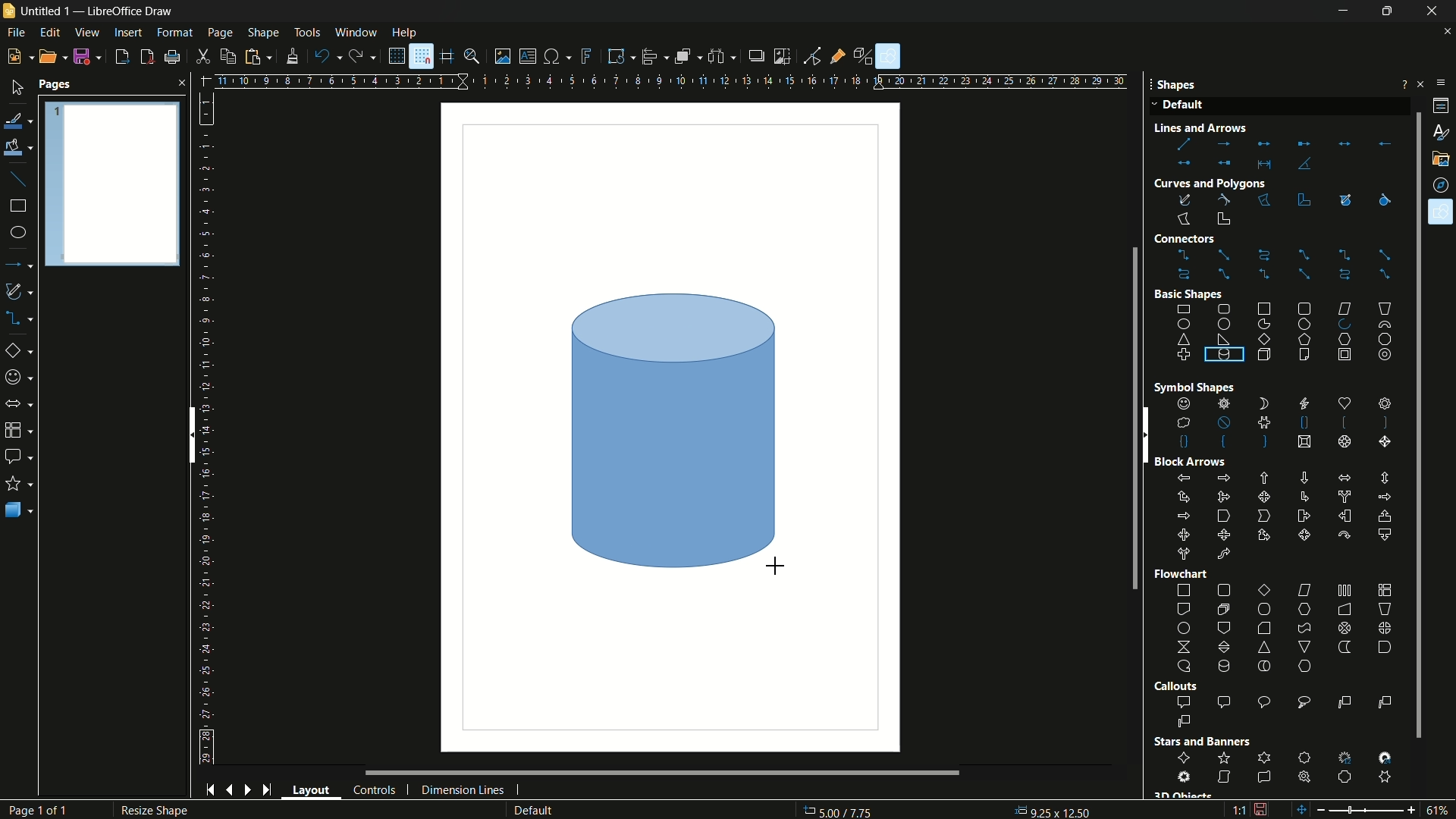 Image resolution: width=1456 pixels, height=819 pixels. I want to click on export directly as pdf, so click(147, 56).